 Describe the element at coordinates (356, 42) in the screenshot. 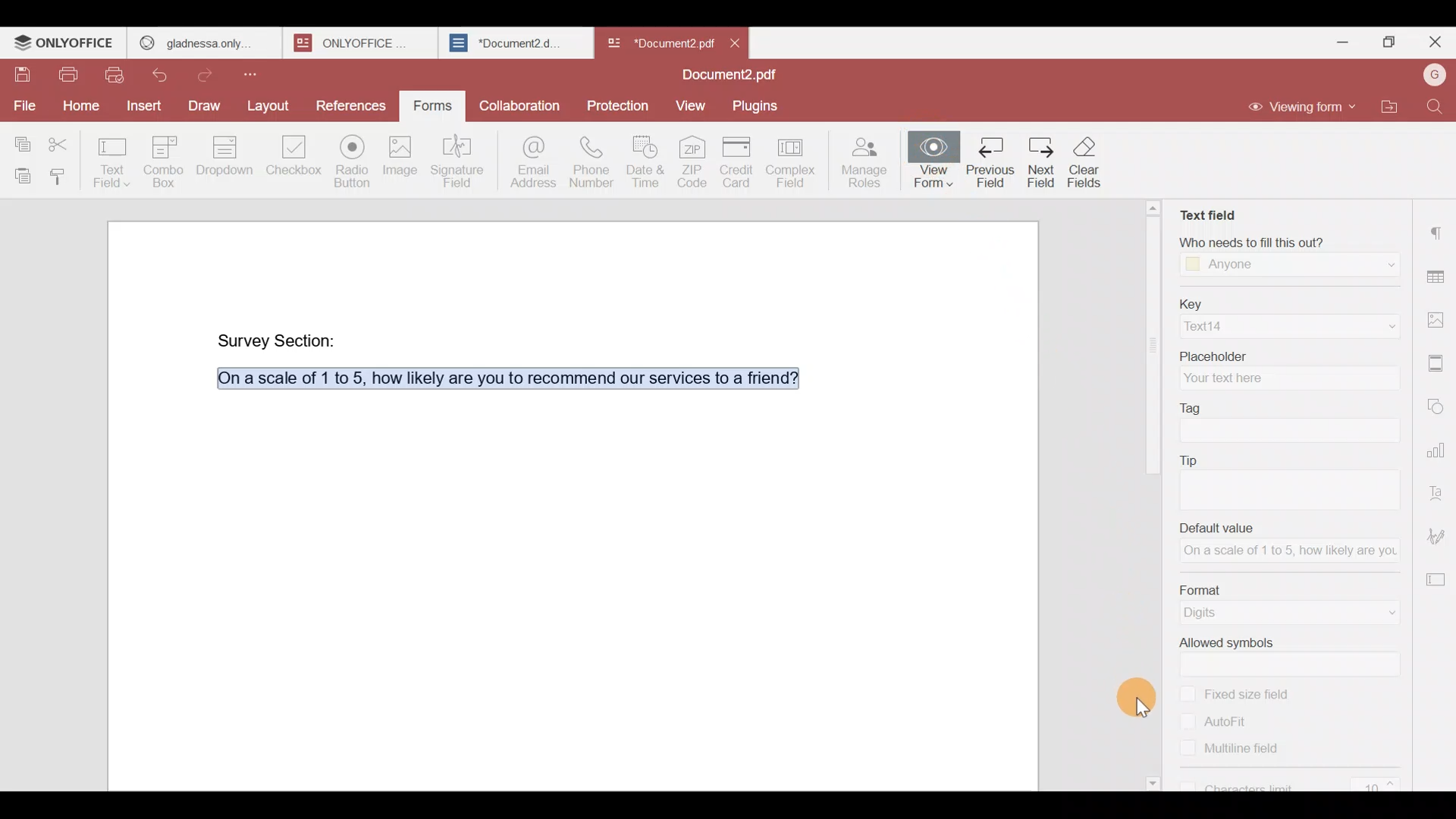

I see `ONLYOFFICE` at that location.